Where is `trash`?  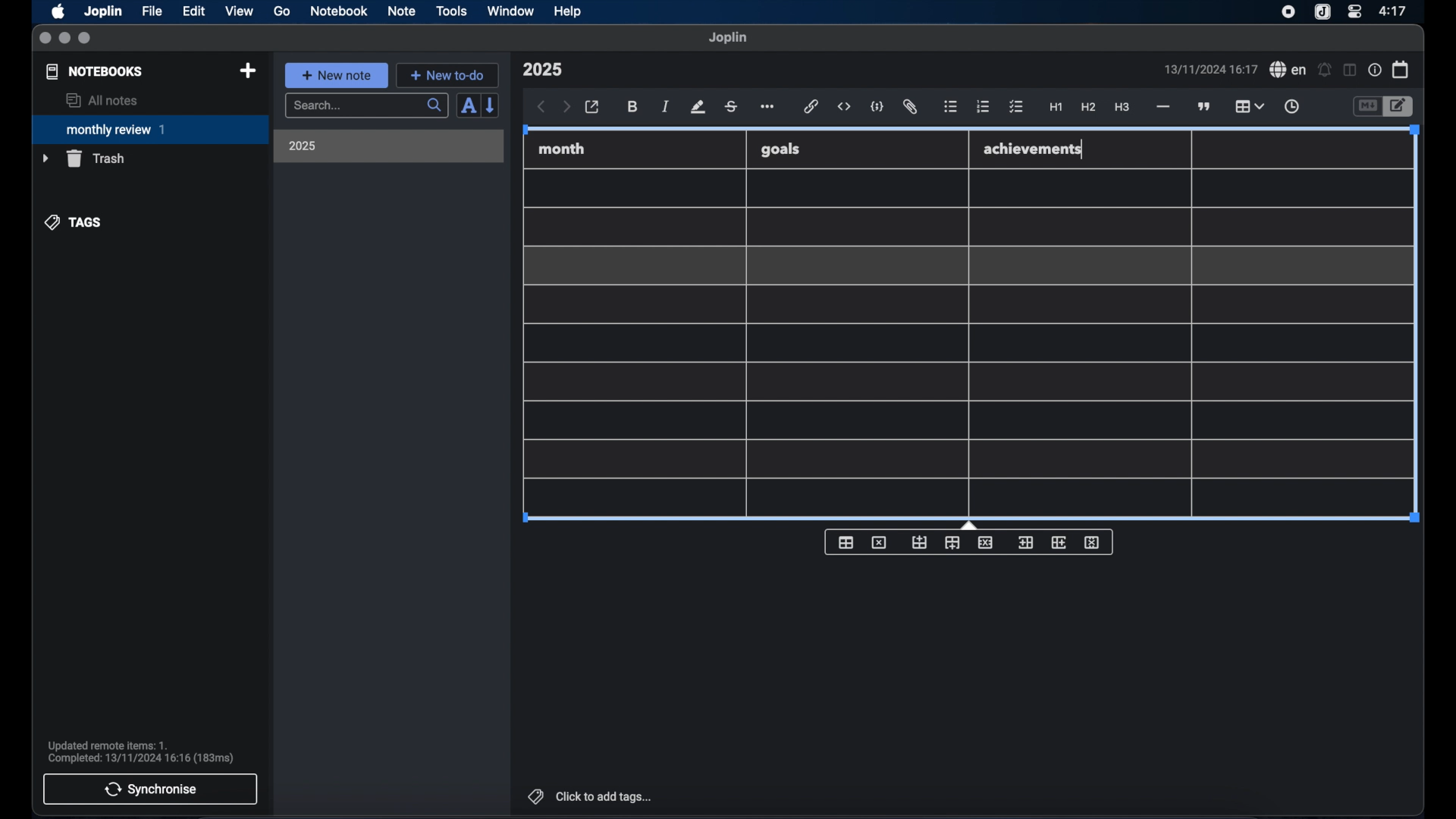 trash is located at coordinates (83, 158).